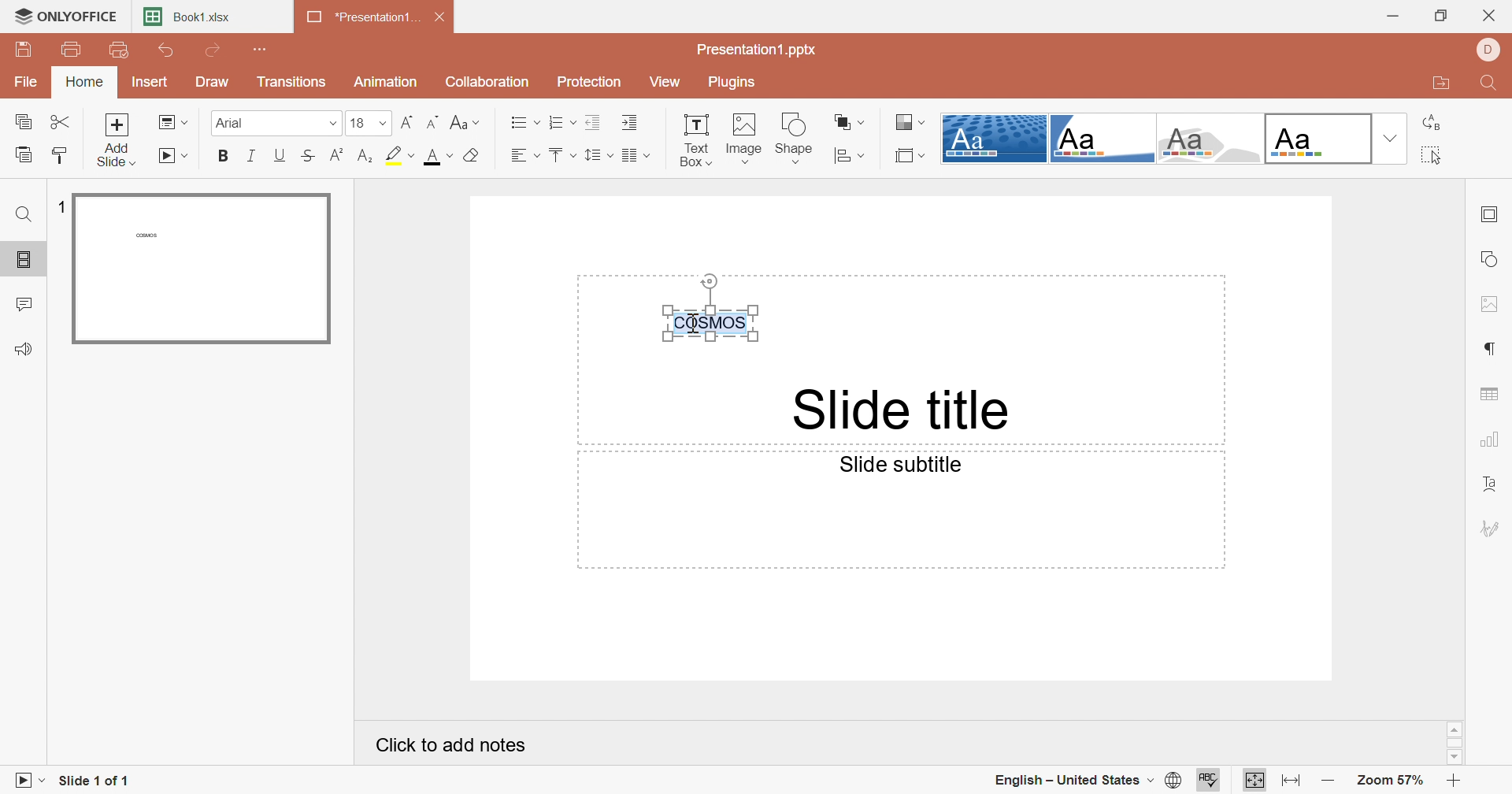 This screenshot has height=794, width=1512. What do you see at coordinates (55, 156) in the screenshot?
I see `Copy style` at bounding box center [55, 156].